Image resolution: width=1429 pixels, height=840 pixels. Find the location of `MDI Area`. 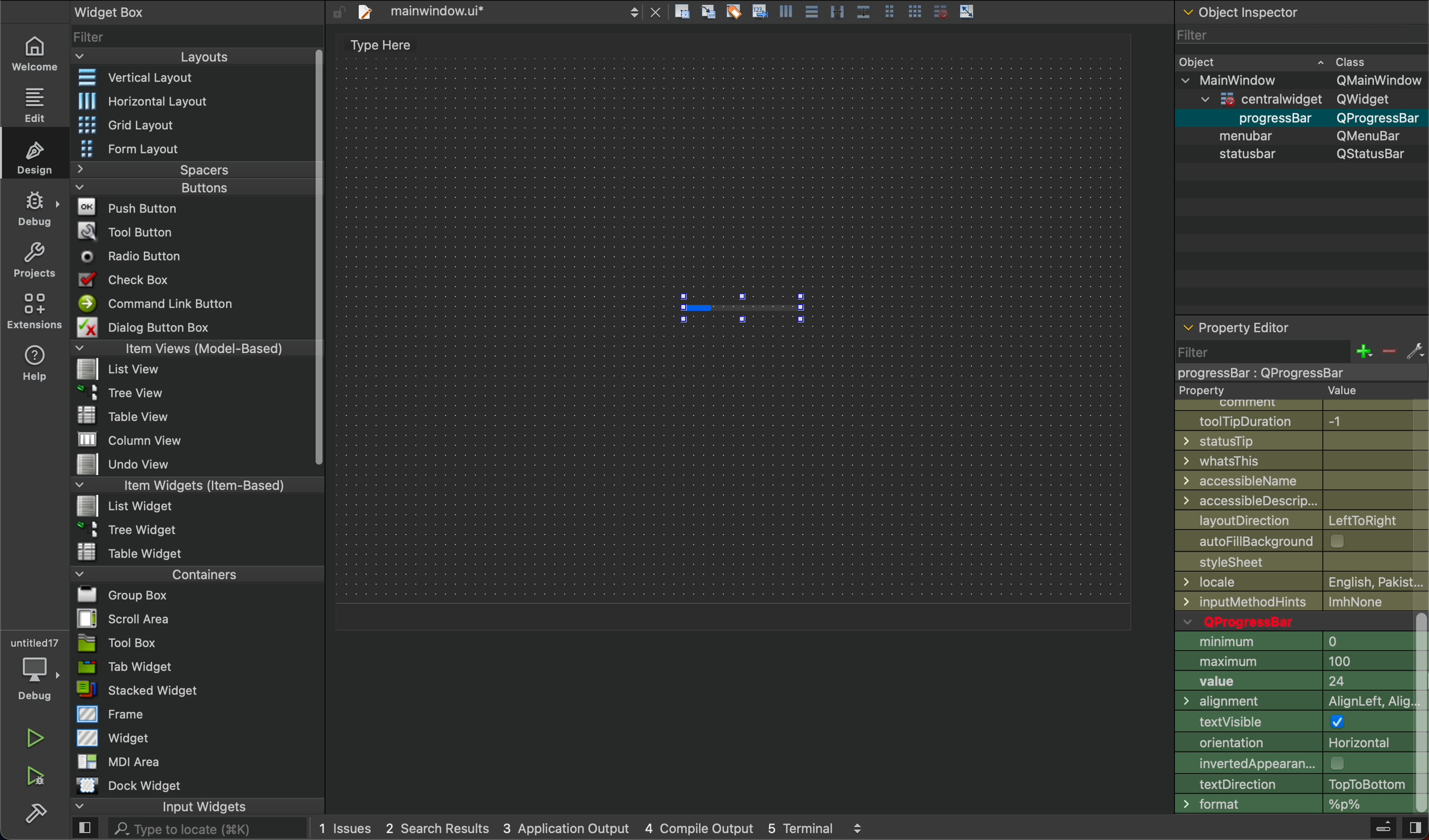

MDI Area is located at coordinates (116, 761).